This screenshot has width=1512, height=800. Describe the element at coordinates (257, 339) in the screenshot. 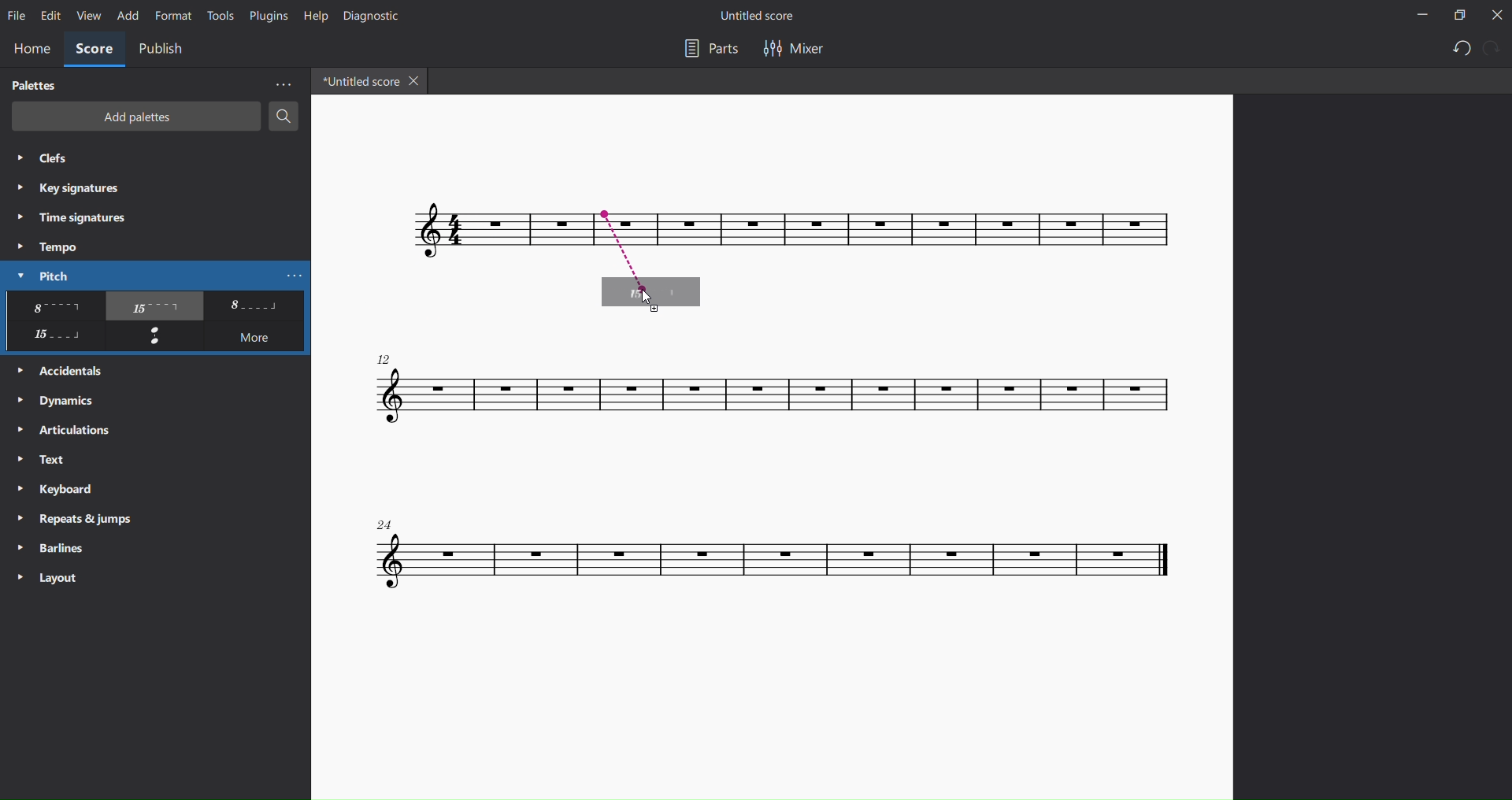

I see `more` at that location.